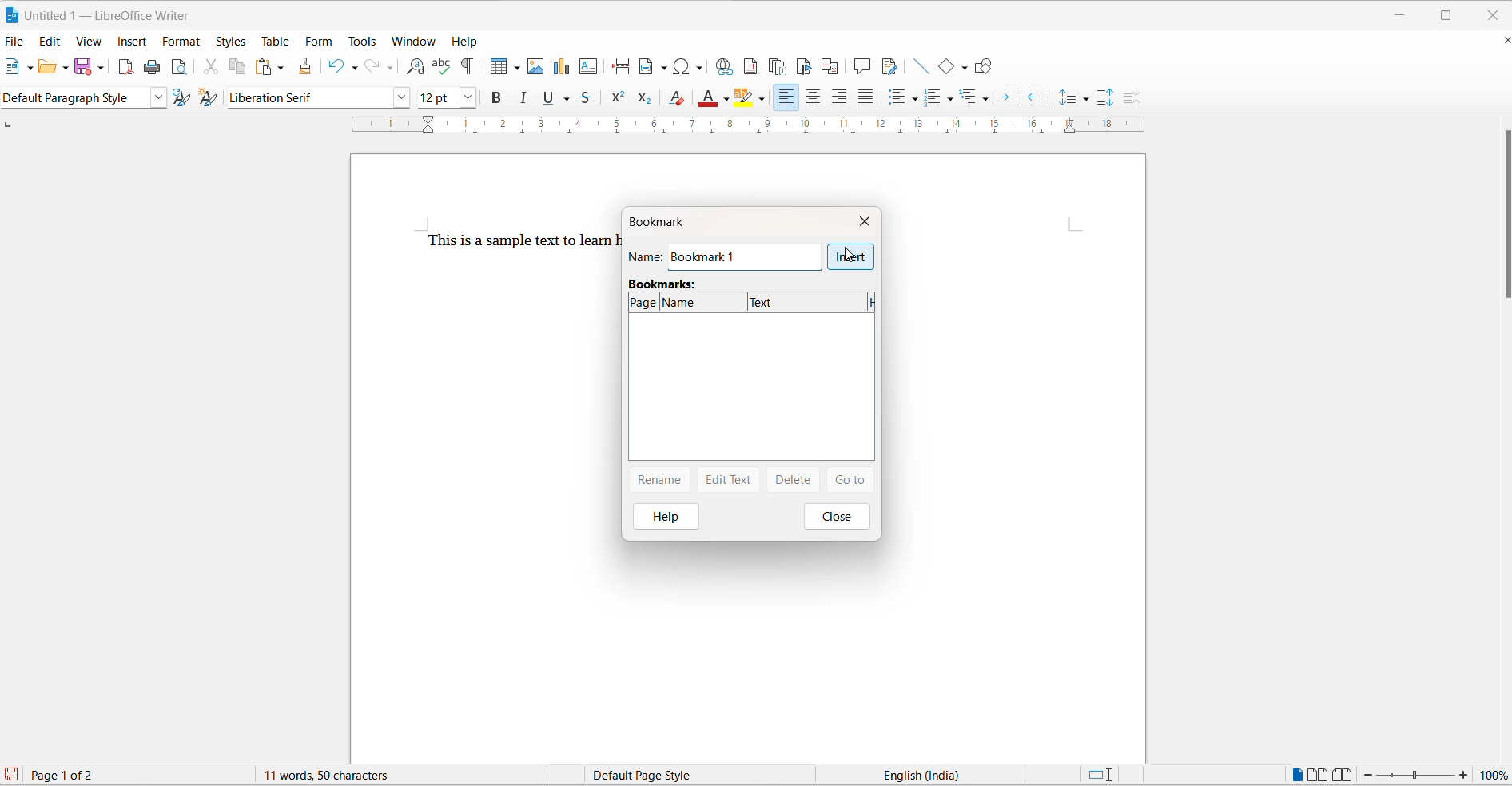  What do you see at coordinates (113, 14) in the screenshot?
I see `Untitle 1 - LibreOffice Writer` at bounding box center [113, 14].